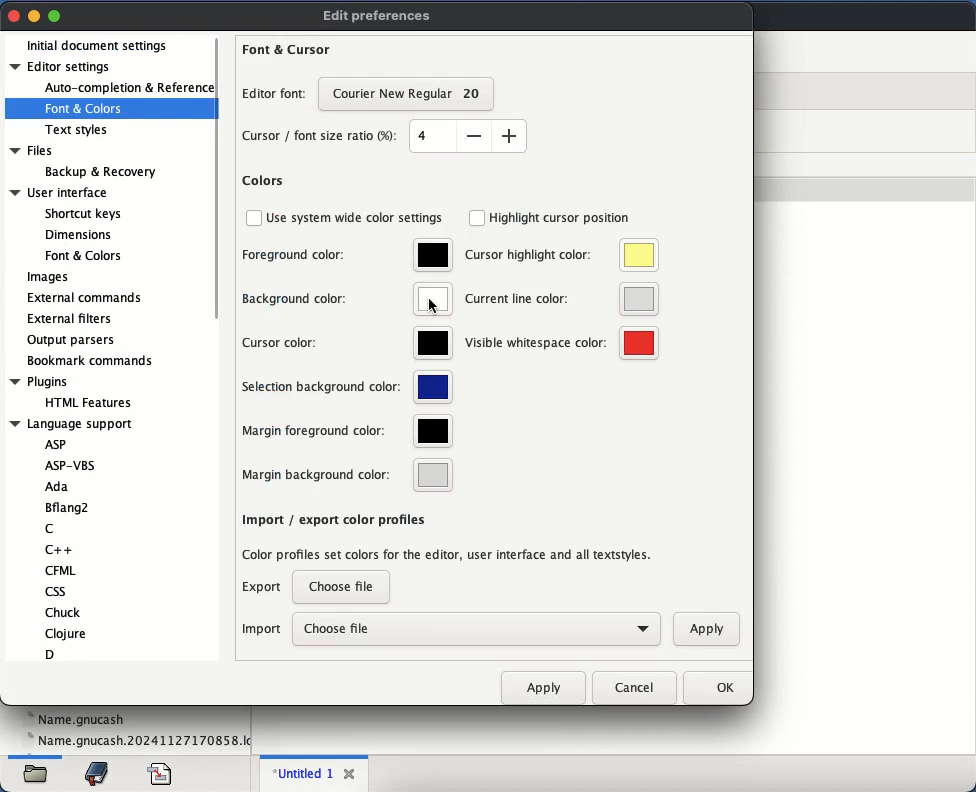 The height and width of the screenshot is (792, 976). What do you see at coordinates (276, 93) in the screenshot?
I see `editor font` at bounding box center [276, 93].